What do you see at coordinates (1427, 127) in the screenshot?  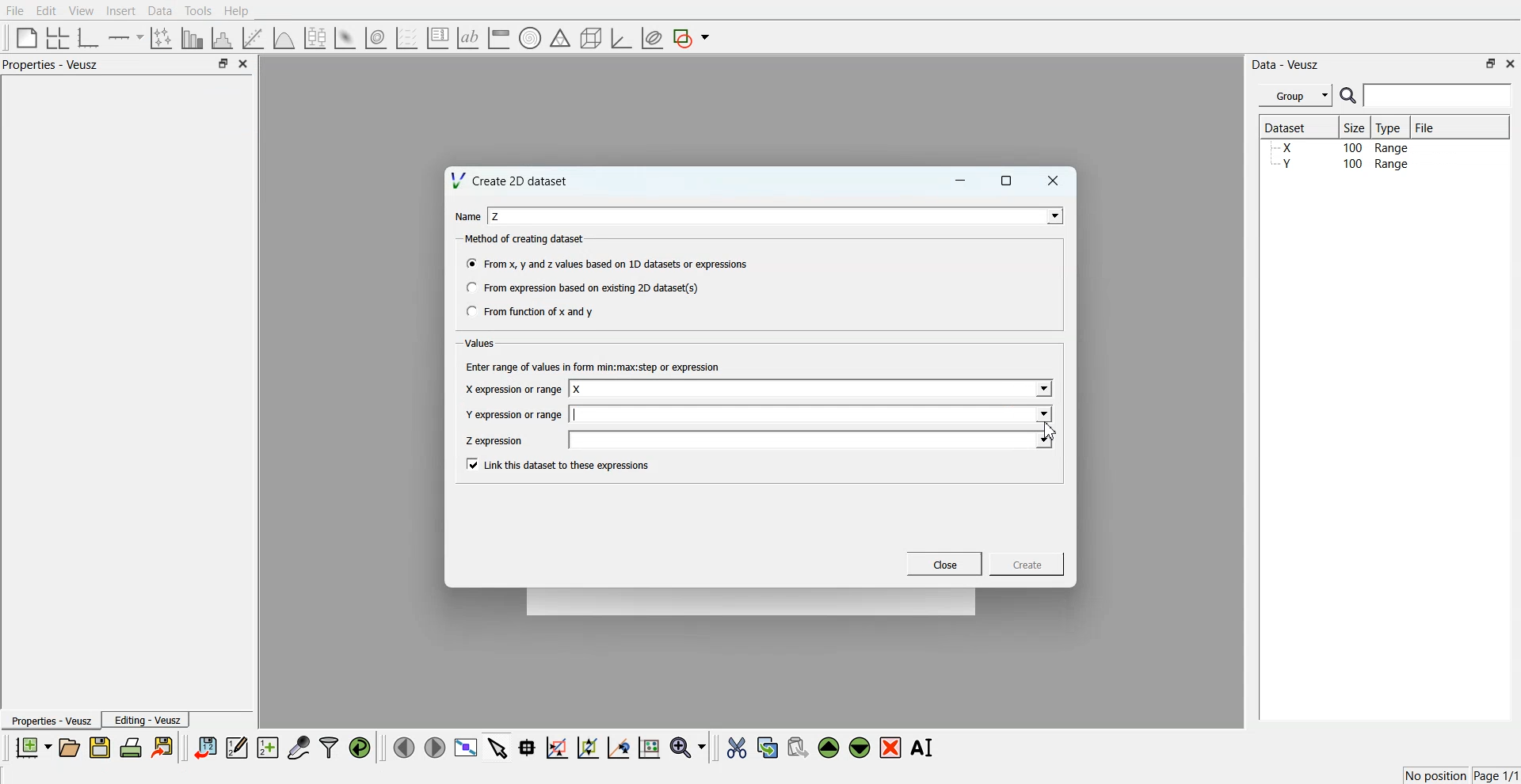 I see `File` at bounding box center [1427, 127].